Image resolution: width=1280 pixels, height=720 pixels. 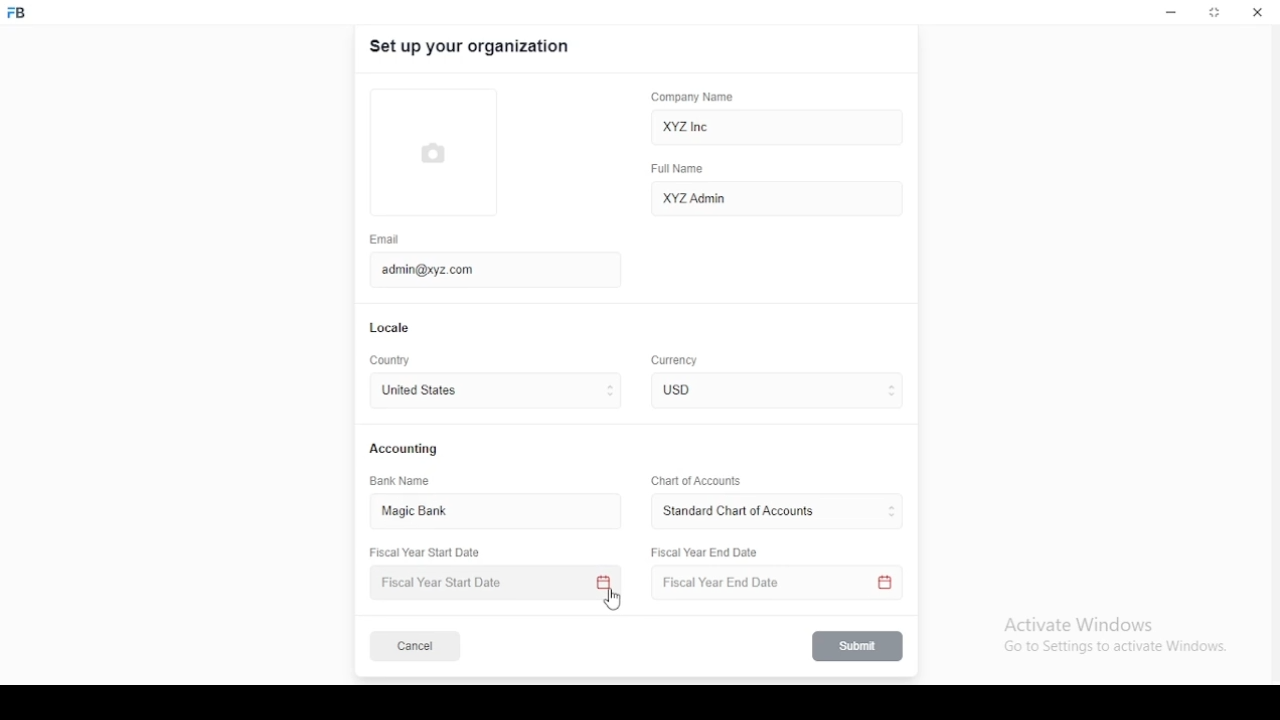 I want to click on bank name, so click(x=401, y=481).